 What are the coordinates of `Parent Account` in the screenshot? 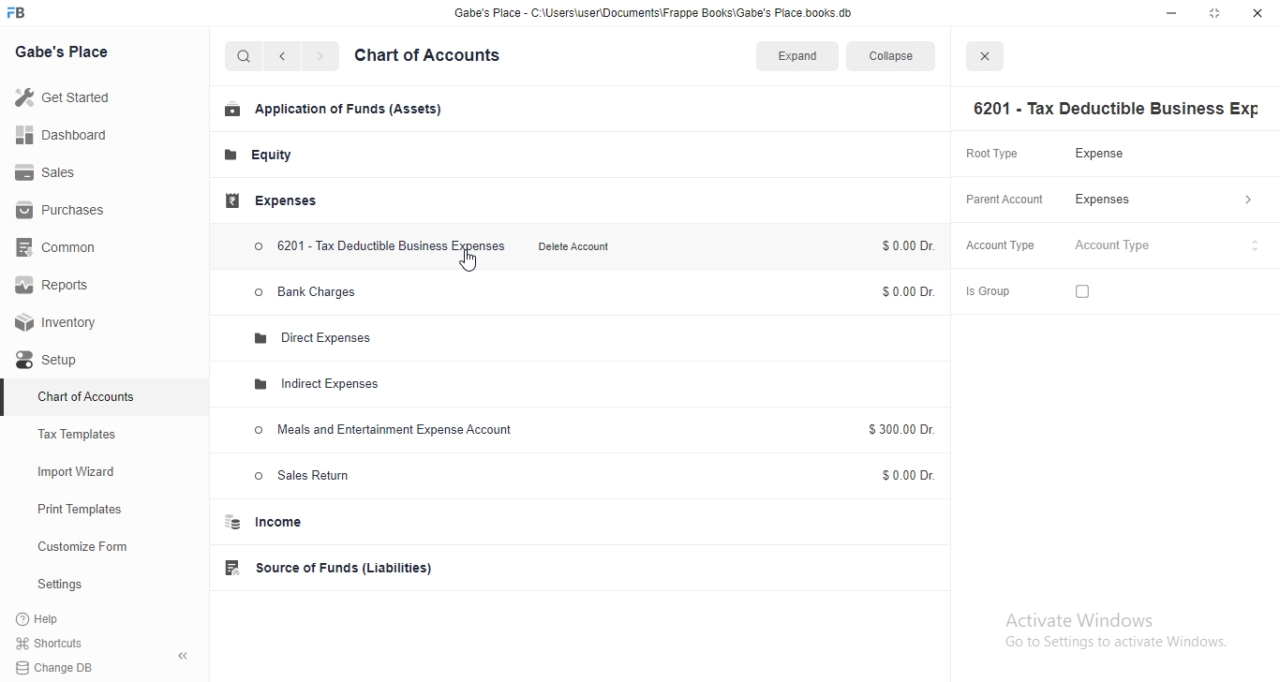 It's located at (1003, 198).